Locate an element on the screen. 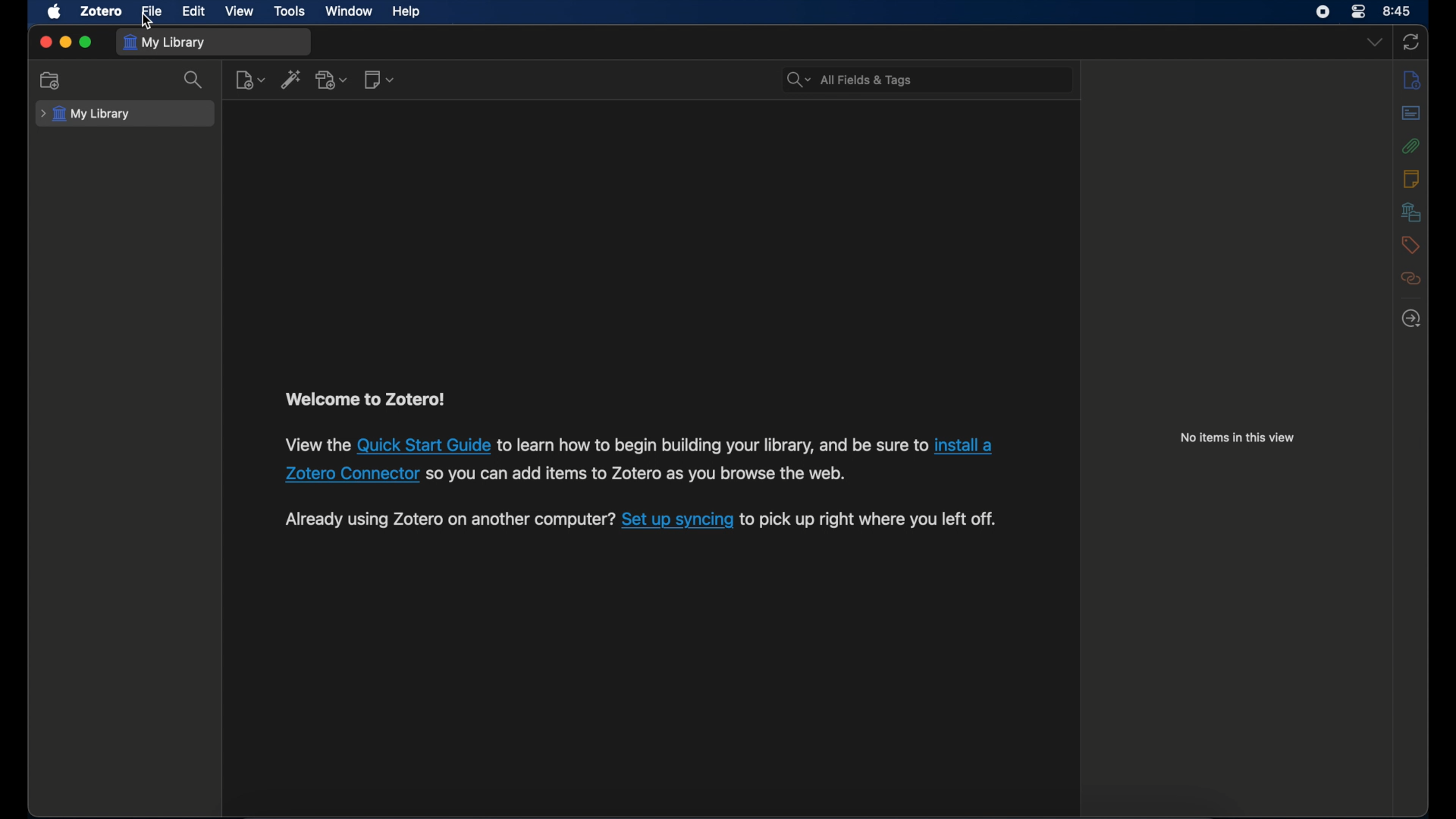 This screenshot has height=819, width=1456. 8.45 is located at coordinates (1398, 10).